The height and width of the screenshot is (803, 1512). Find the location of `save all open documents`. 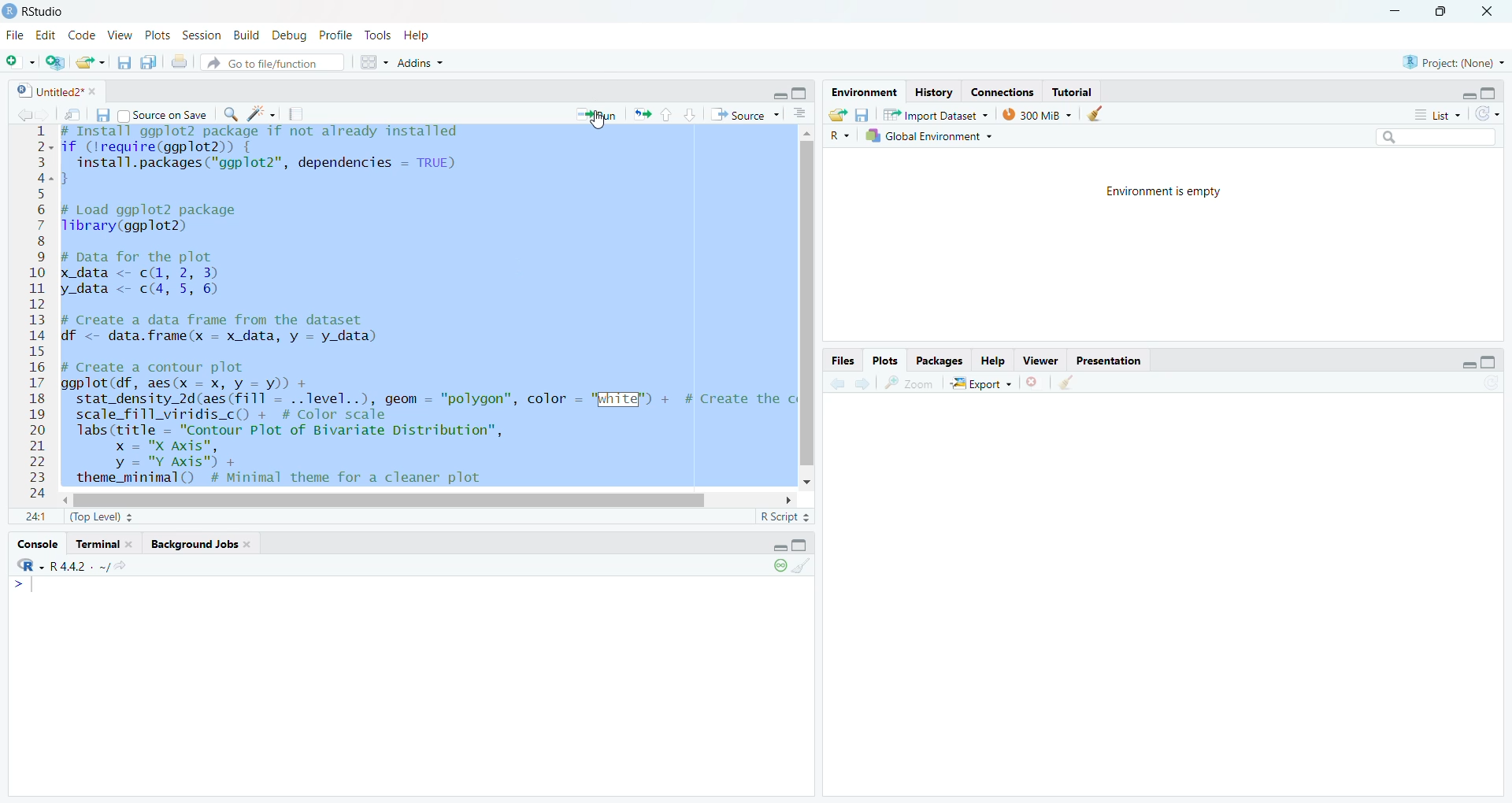

save all open documents is located at coordinates (149, 62).